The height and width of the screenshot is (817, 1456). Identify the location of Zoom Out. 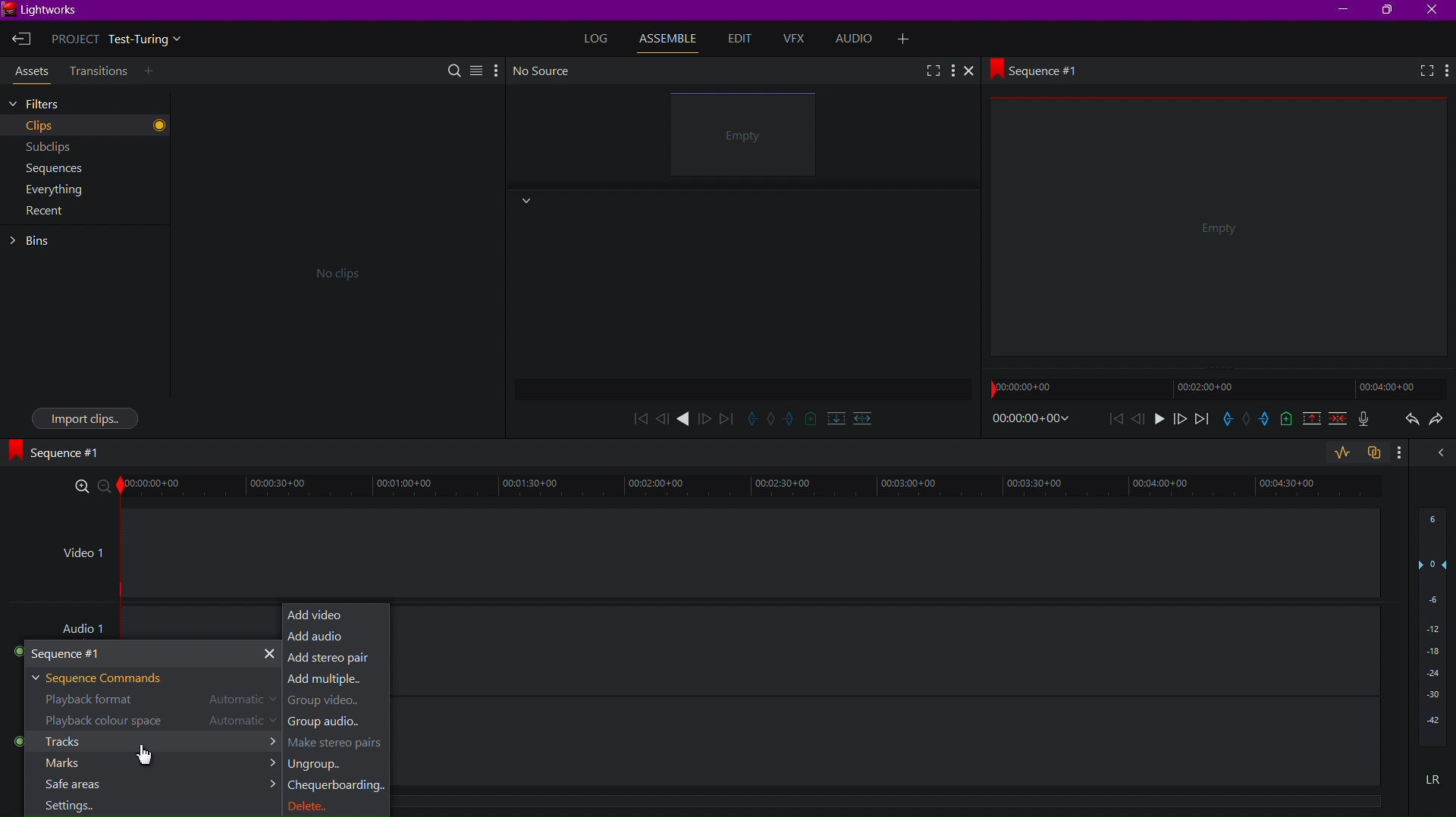
(108, 488).